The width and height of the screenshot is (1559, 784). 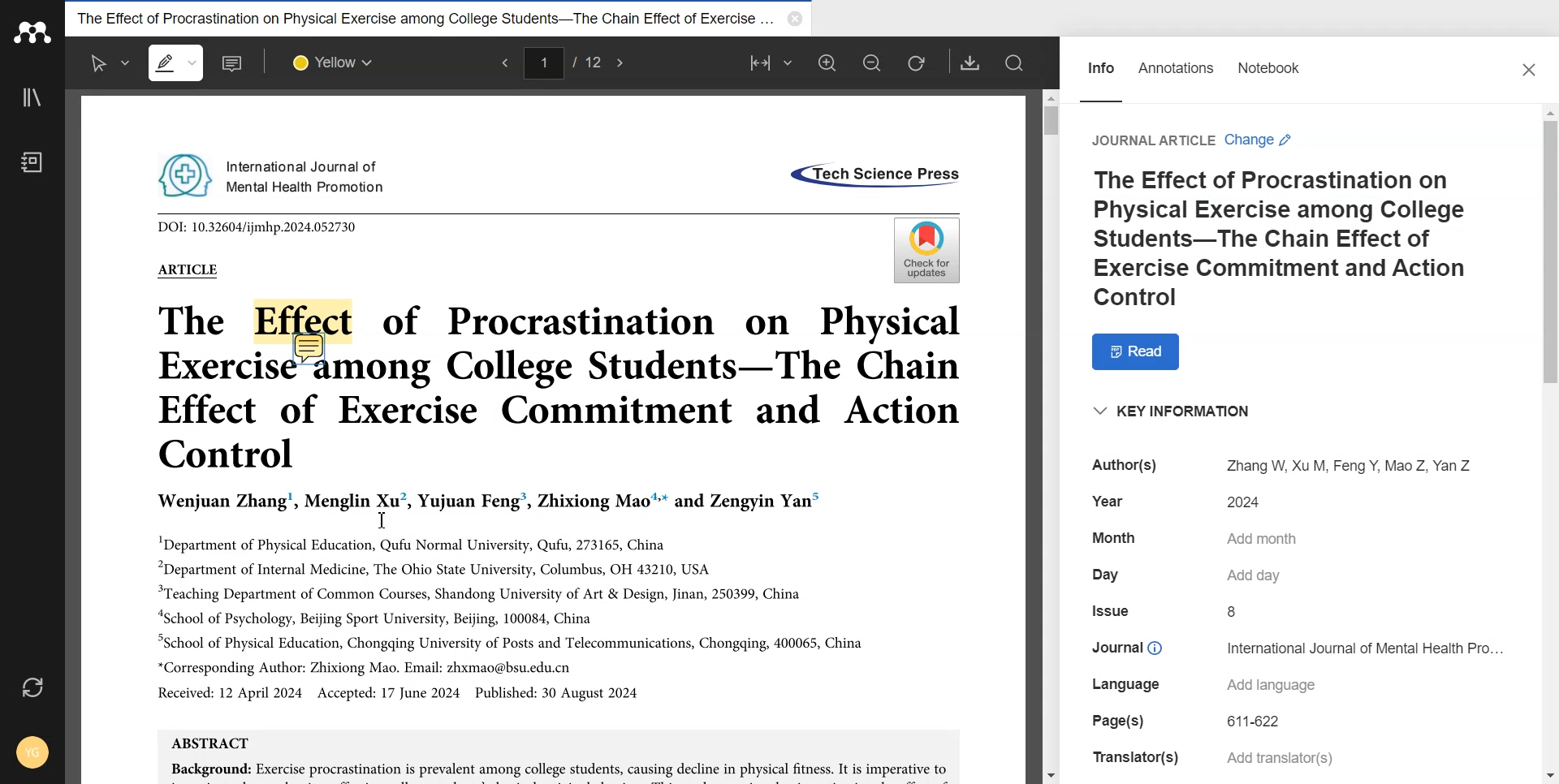 I want to click on International Journal of
Mental Health Promotion, so click(x=274, y=174).